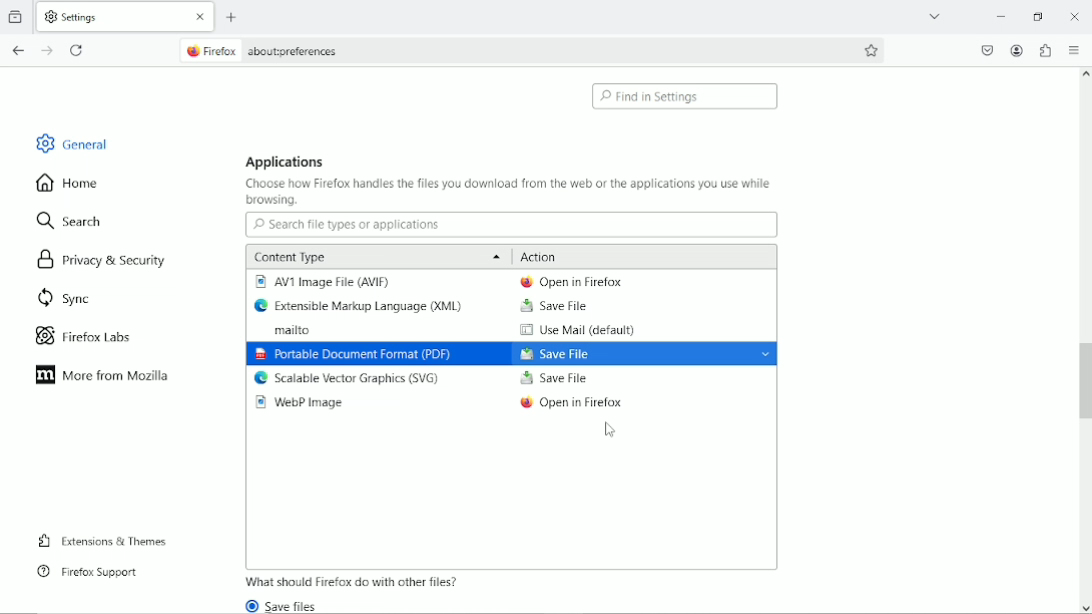  What do you see at coordinates (72, 219) in the screenshot?
I see `search` at bounding box center [72, 219].